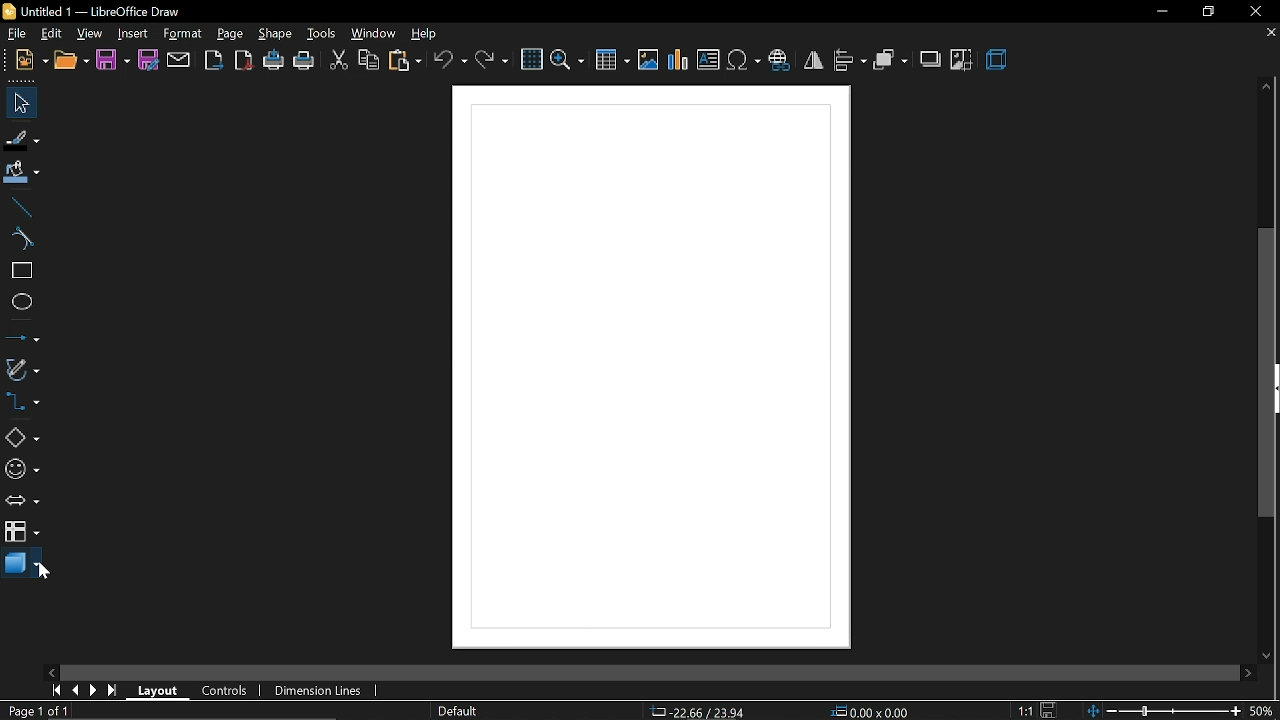 The height and width of the screenshot is (720, 1280). Describe the element at coordinates (58, 692) in the screenshot. I see `go to first page` at that location.